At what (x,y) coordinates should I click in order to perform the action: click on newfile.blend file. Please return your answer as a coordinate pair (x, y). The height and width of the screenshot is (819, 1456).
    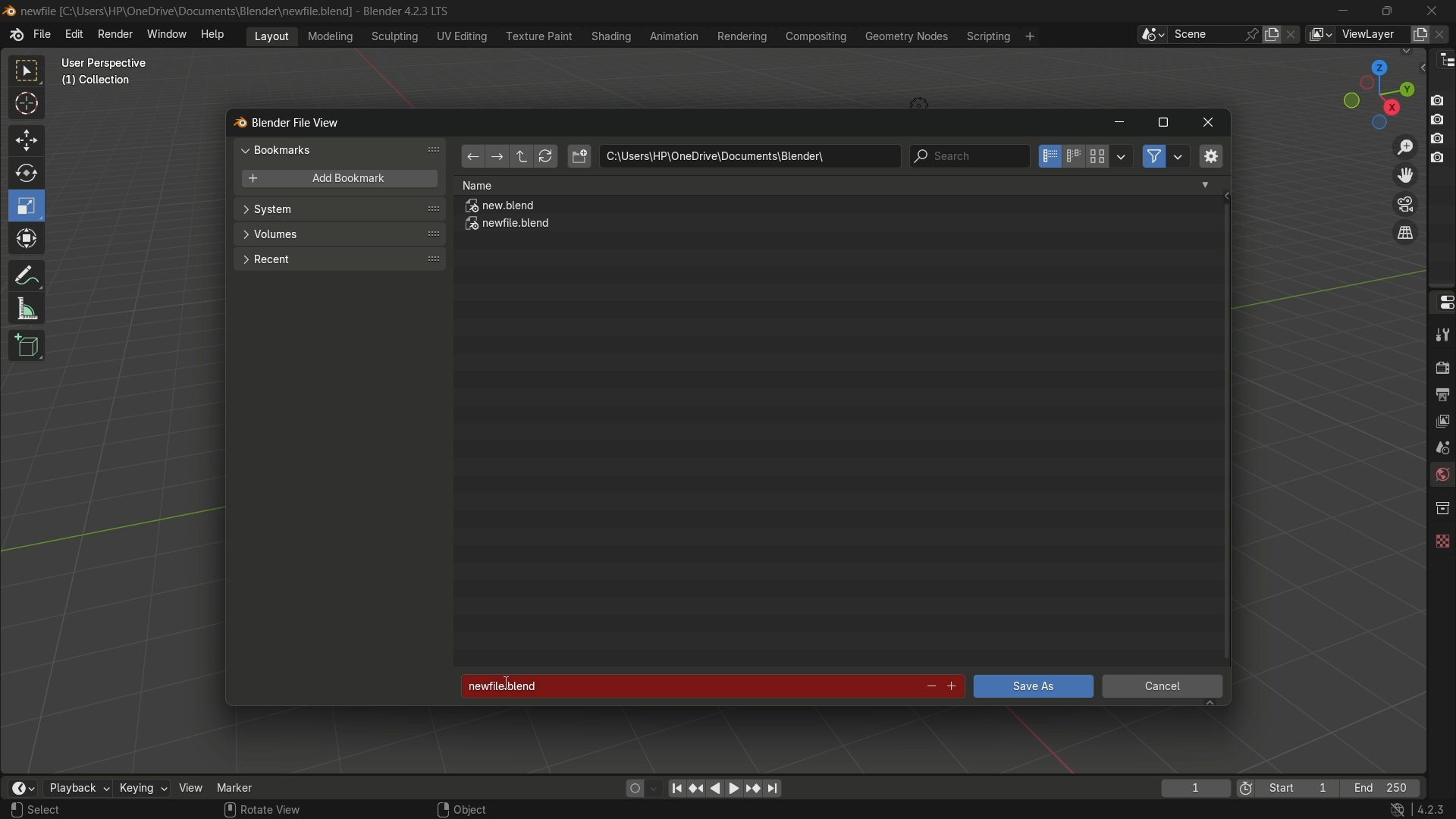
    Looking at the image, I should click on (509, 226).